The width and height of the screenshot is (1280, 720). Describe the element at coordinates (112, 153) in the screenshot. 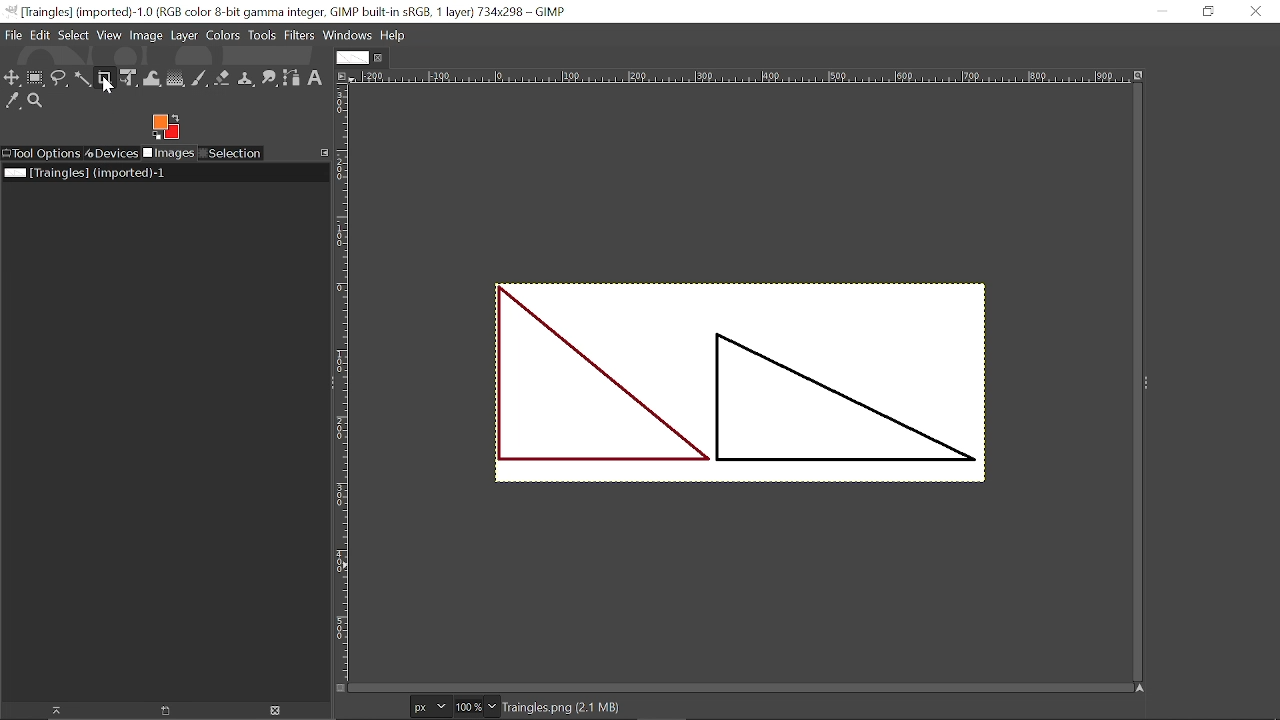

I see `Devices` at that location.